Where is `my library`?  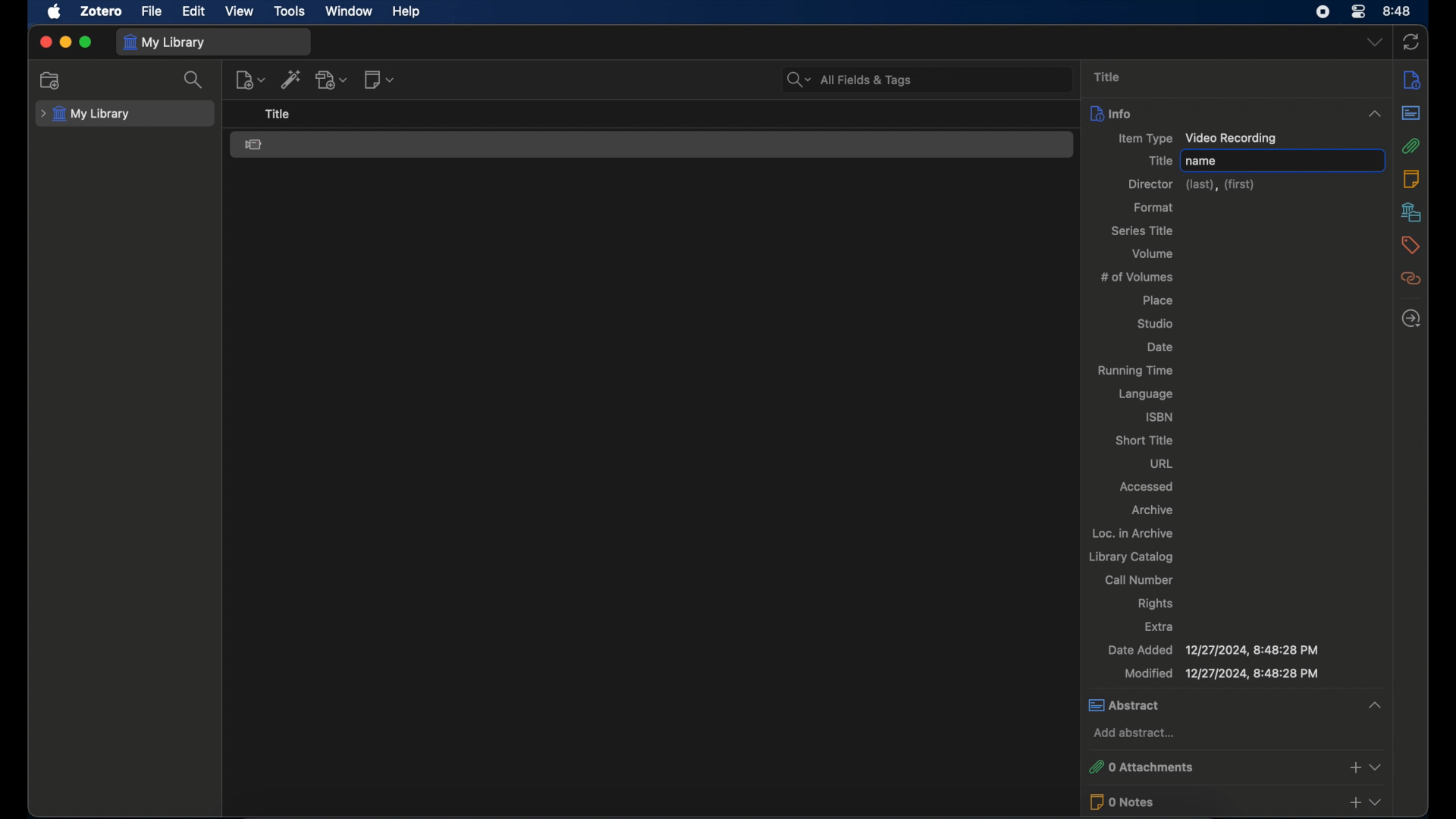 my library is located at coordinates (164, 43).